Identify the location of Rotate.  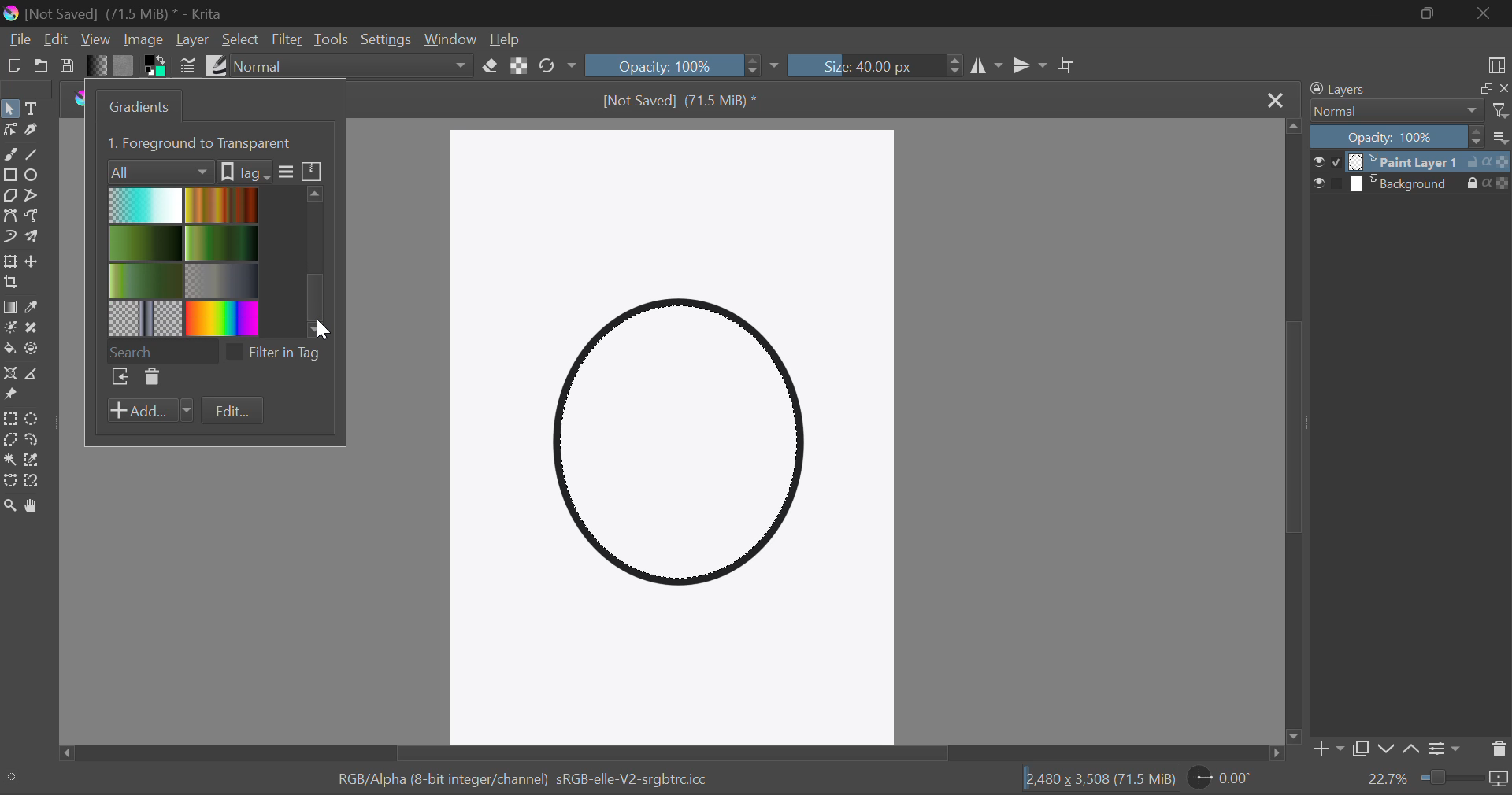
(556, 65).